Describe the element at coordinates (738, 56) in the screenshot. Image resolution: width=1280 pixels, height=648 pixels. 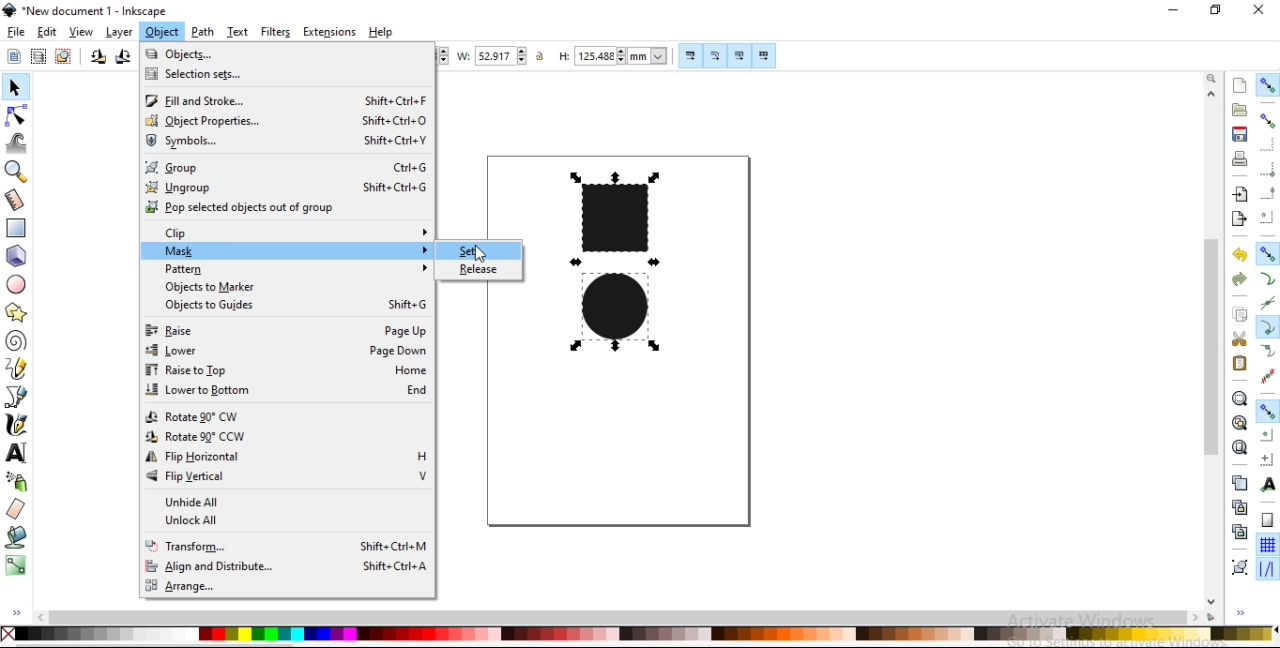
I see `move gradients along with objects` at that location.